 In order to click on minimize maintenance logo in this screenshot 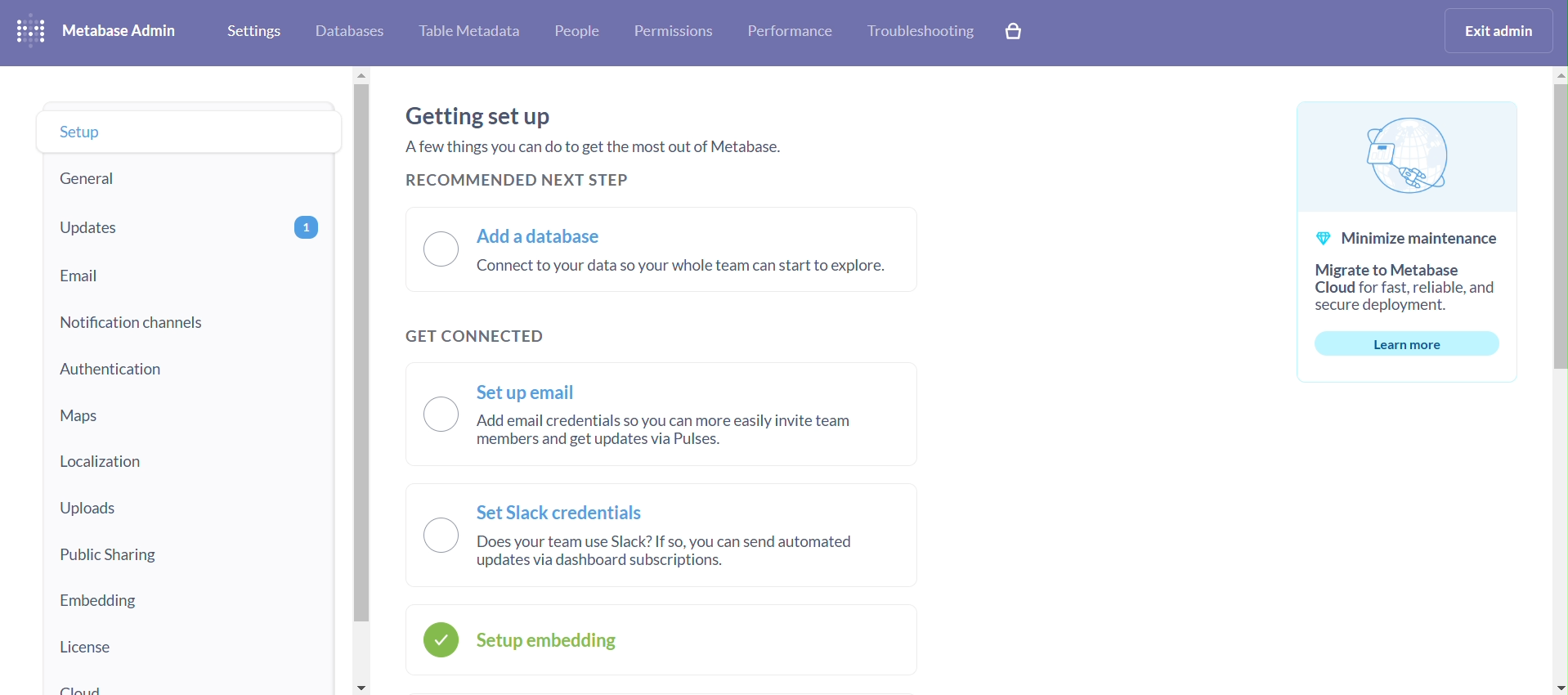, I will do `click(1407, 152)`.